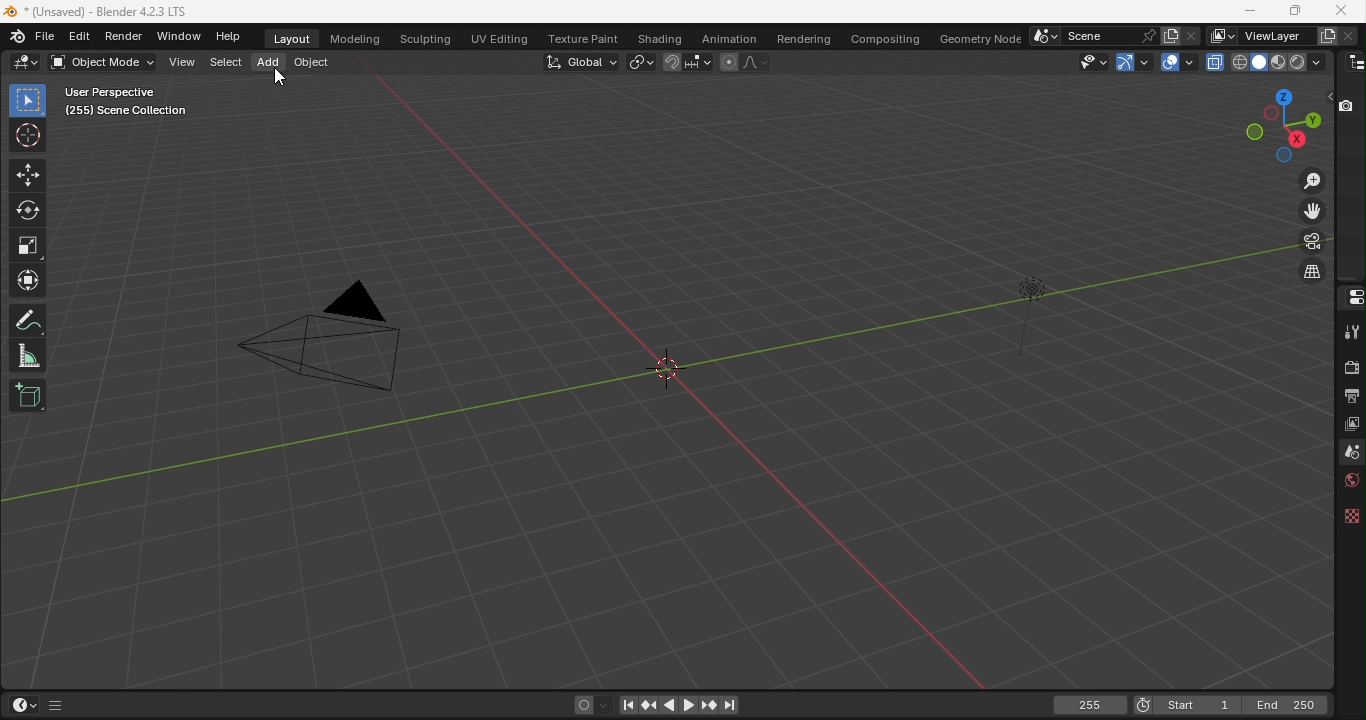 The image size is (1366, 720). Describe the element at coordinates (686, 703) in the screenshot. I see `Play animation` at that location.